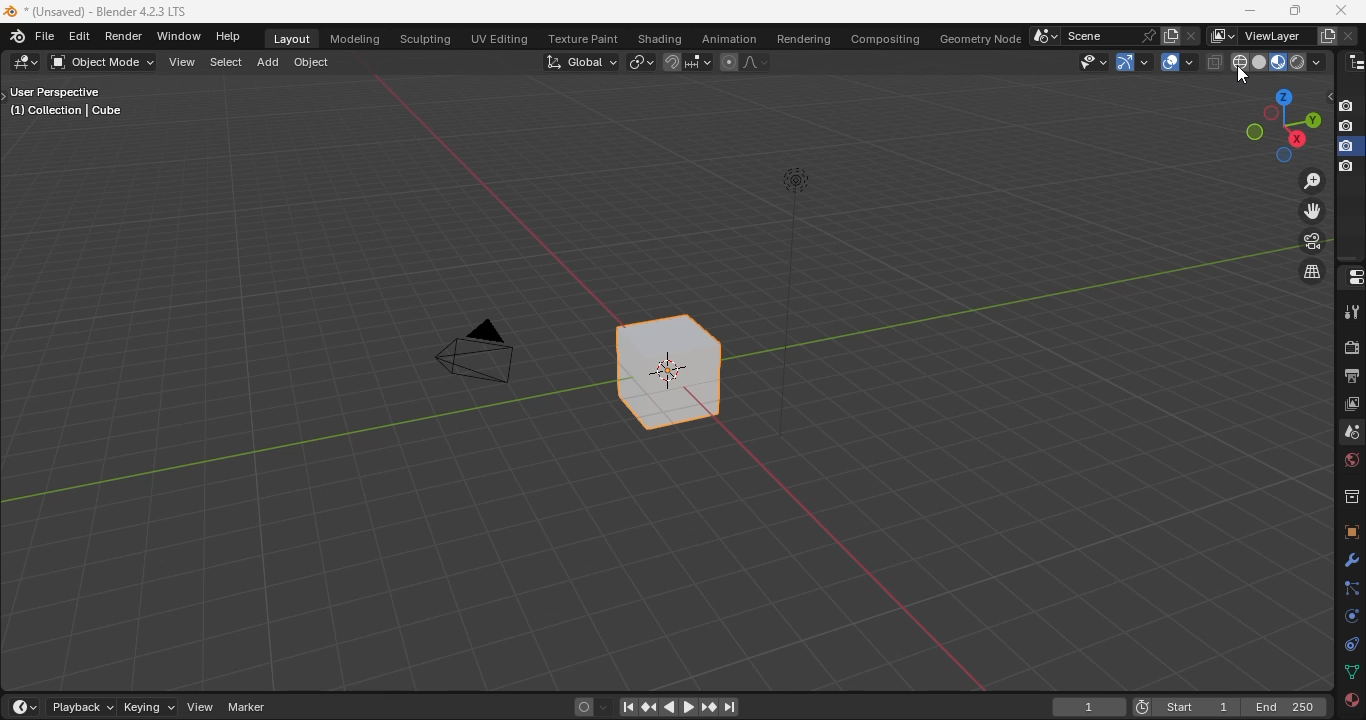 The width and height of the screenshot is (1366, 720). What do you see at coordinates (1297, 11) in the screenshot?
I see `maximize` at bounding box center [1297, 11].